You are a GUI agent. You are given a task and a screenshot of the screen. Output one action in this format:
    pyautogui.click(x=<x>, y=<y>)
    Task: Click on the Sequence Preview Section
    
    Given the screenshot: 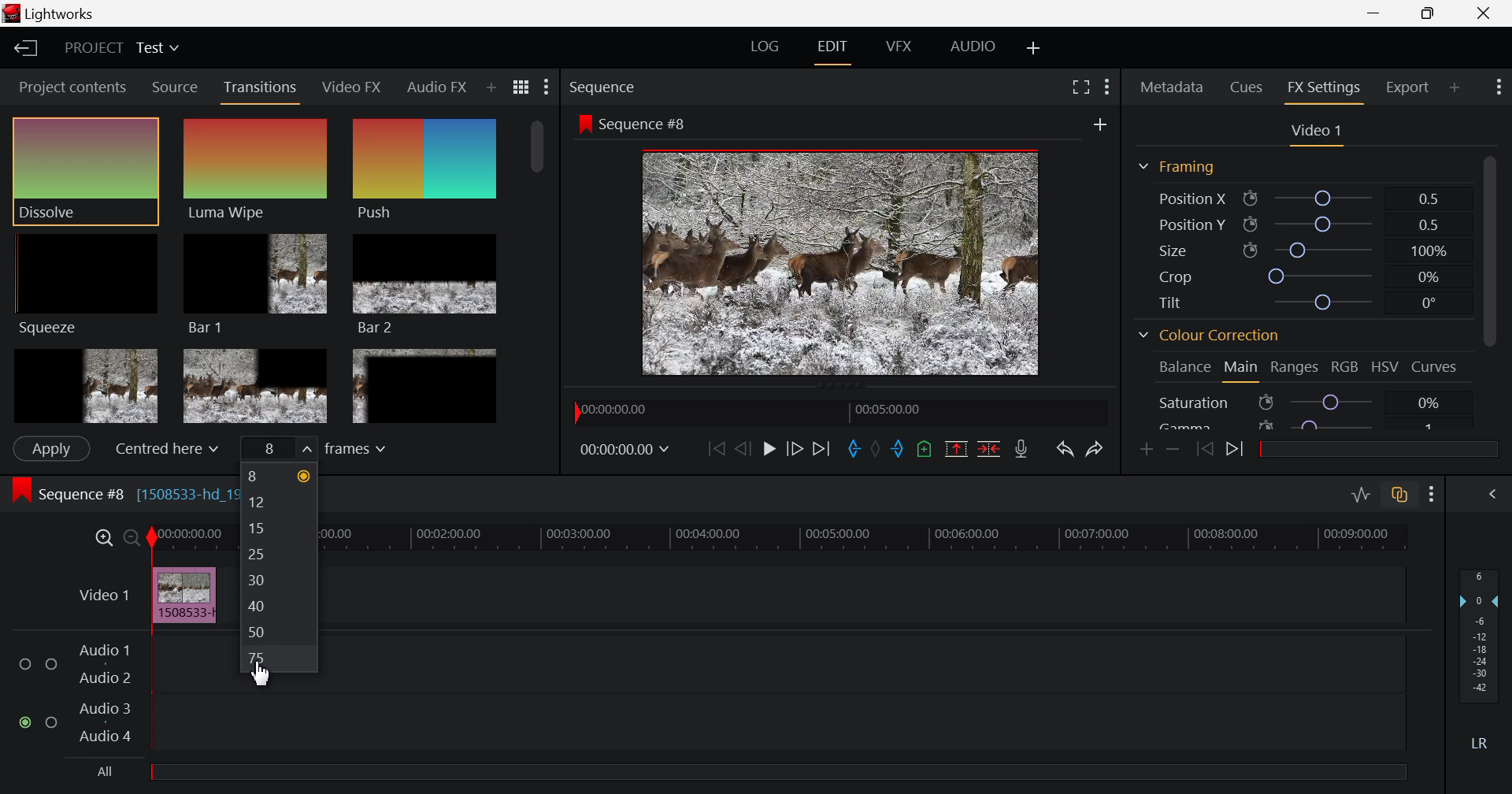 What is the action you would take?
    pyautogui.click(x=602, y=84)
    